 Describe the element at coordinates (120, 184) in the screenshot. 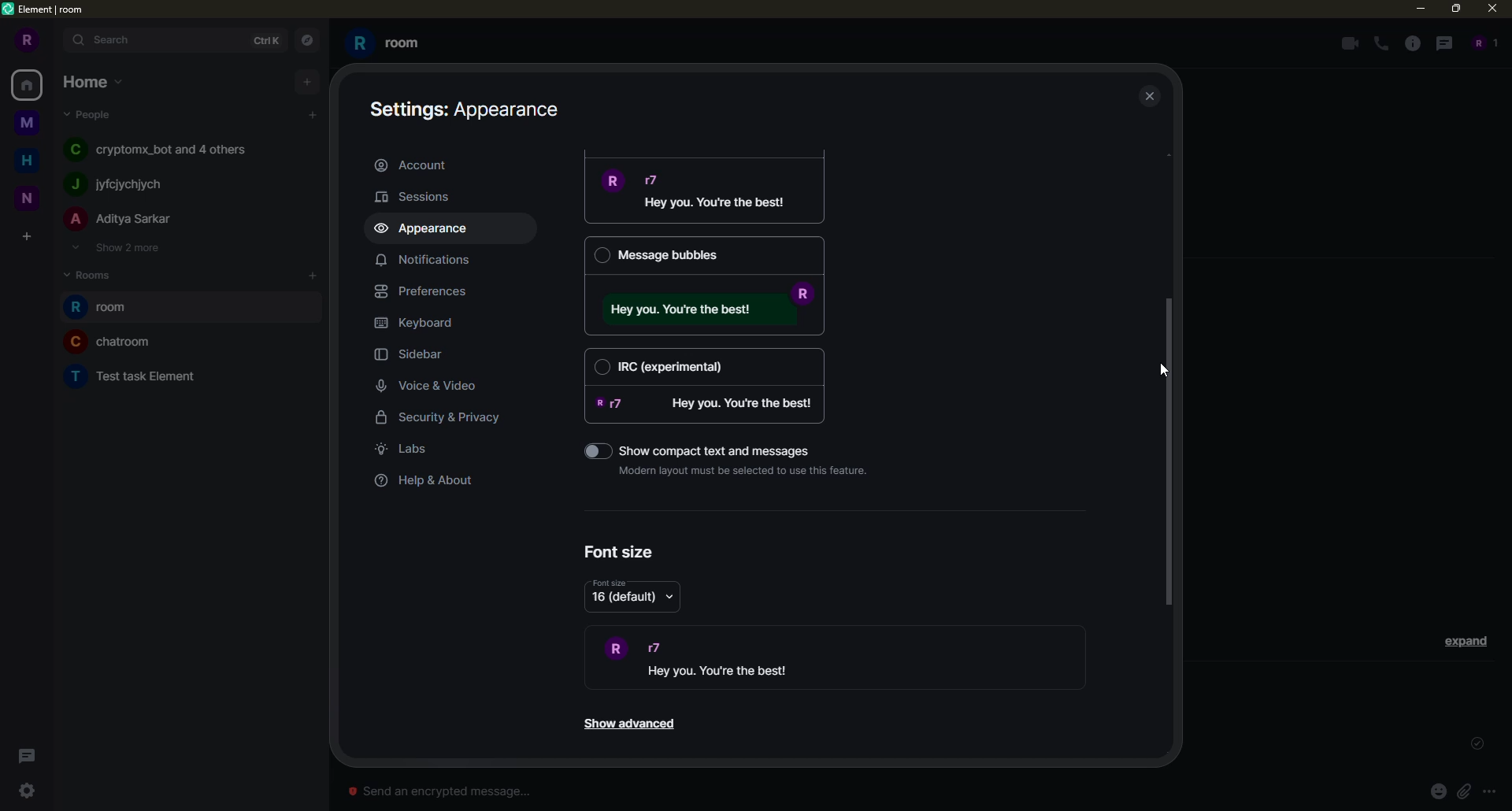

I see `people` at that location.